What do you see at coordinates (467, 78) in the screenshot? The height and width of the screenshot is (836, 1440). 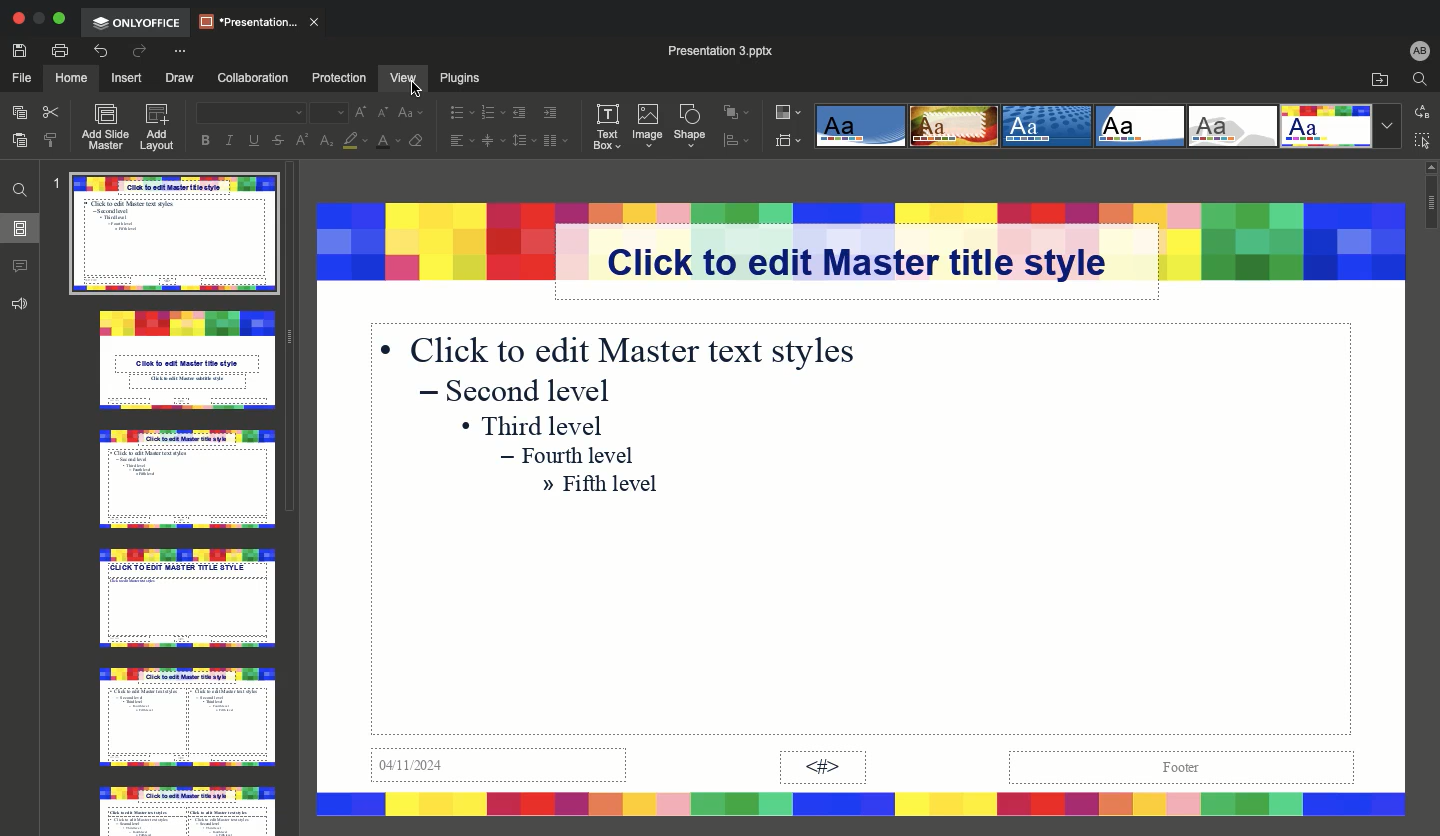 I see `Plugins` at bounding box center [467, 78].